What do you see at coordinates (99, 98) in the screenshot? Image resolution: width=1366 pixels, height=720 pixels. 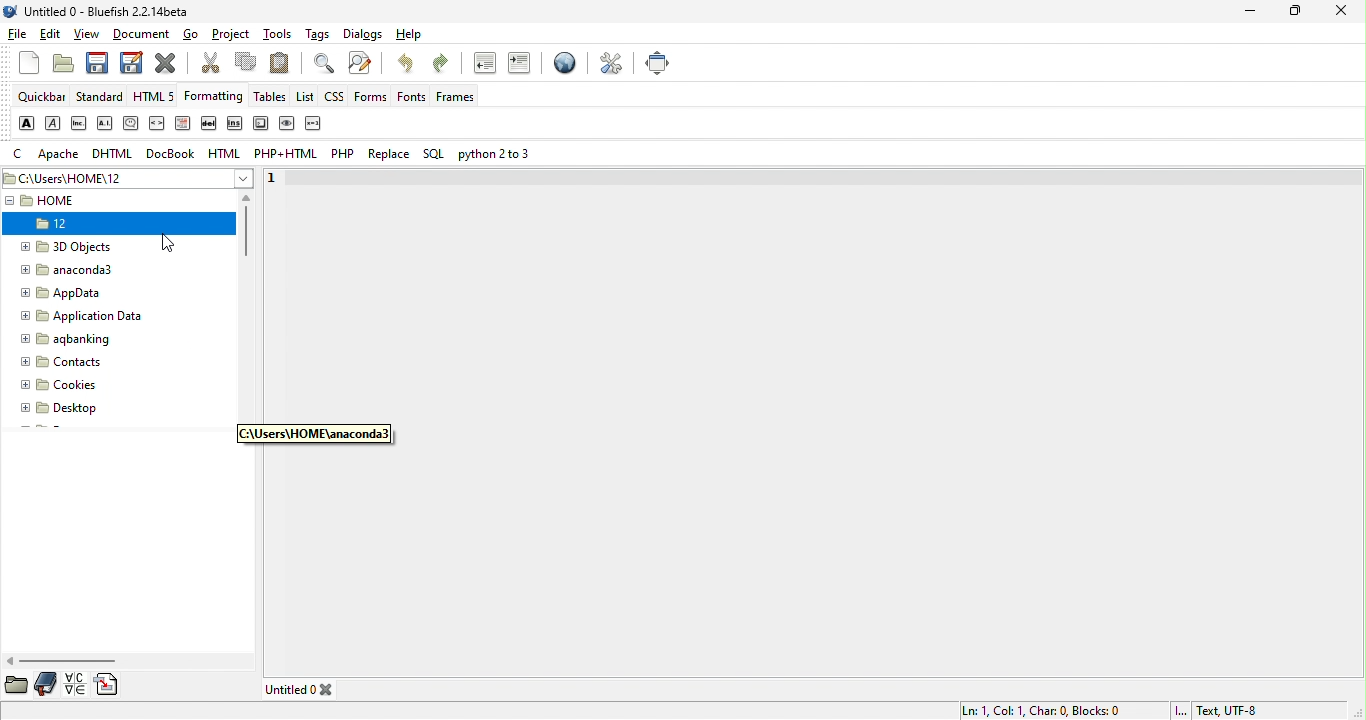 I see `standard` at bounding box center [99, 98].